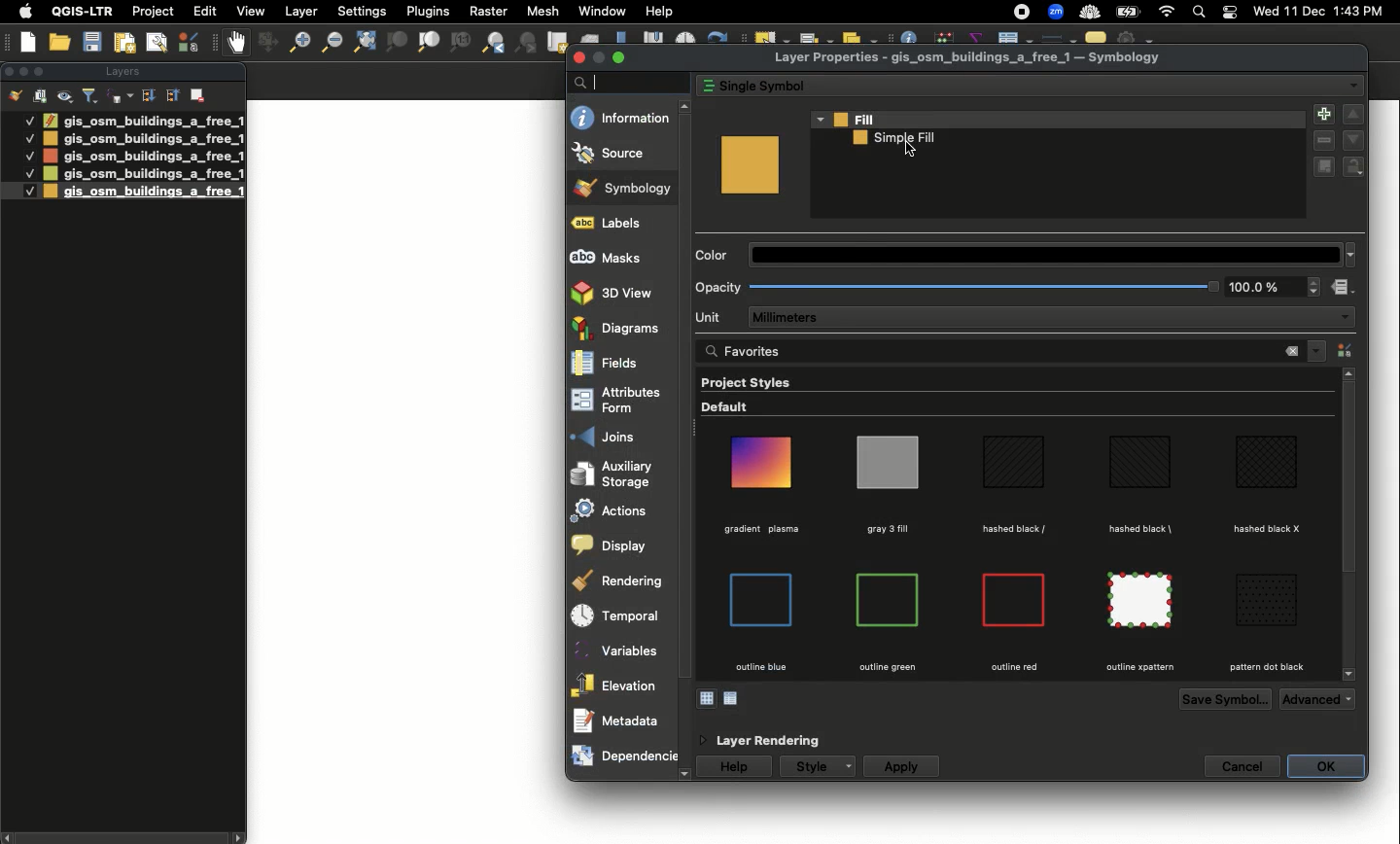  Describe the element at coordinates (580, 58) in the screenshot. I see `close` at that location.